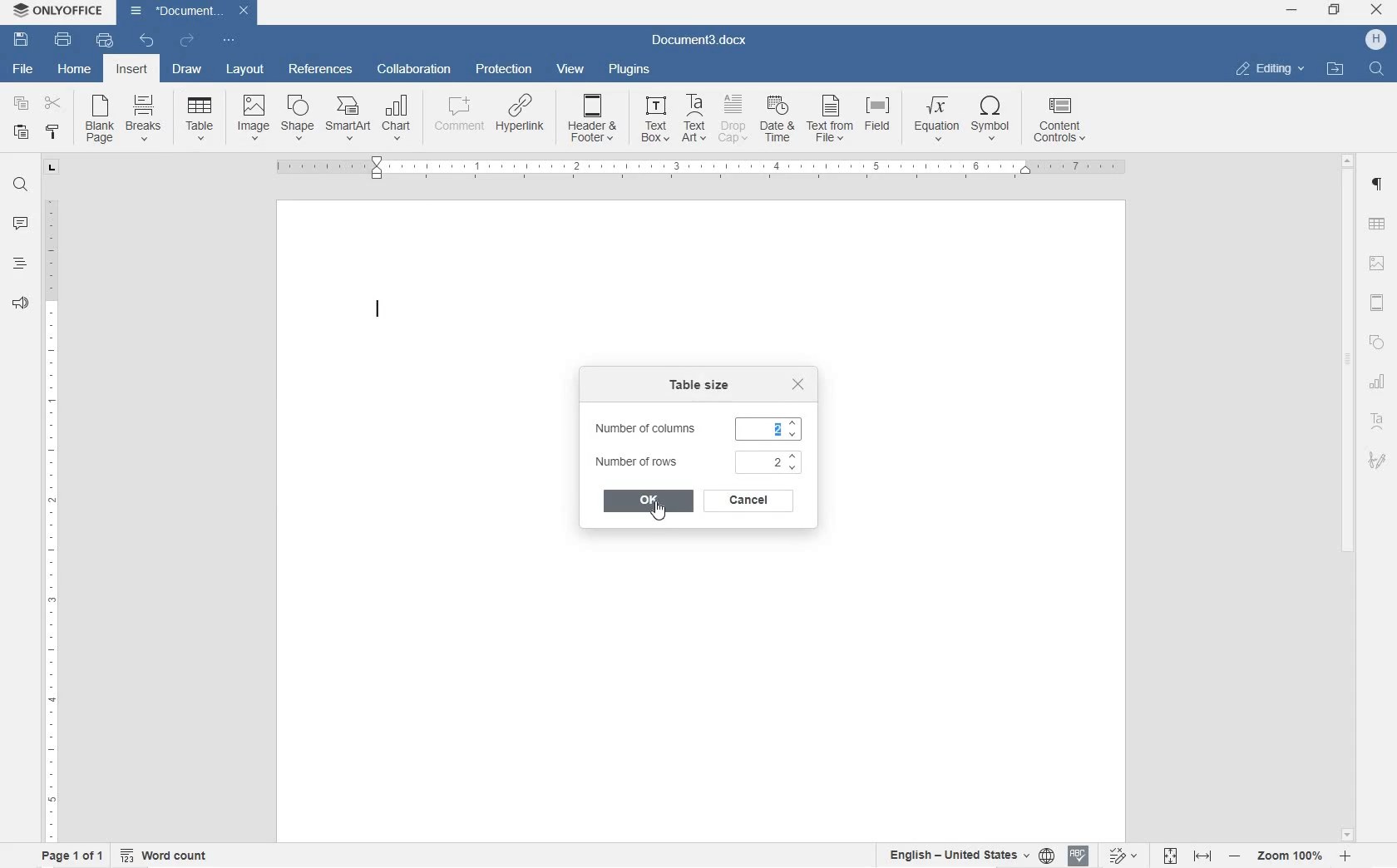 This screenshot has height=868, width=1397. Describe the element at coordinates (1061, 122) in the screenshot. I see `CONTENT CONTROLS` at that location.